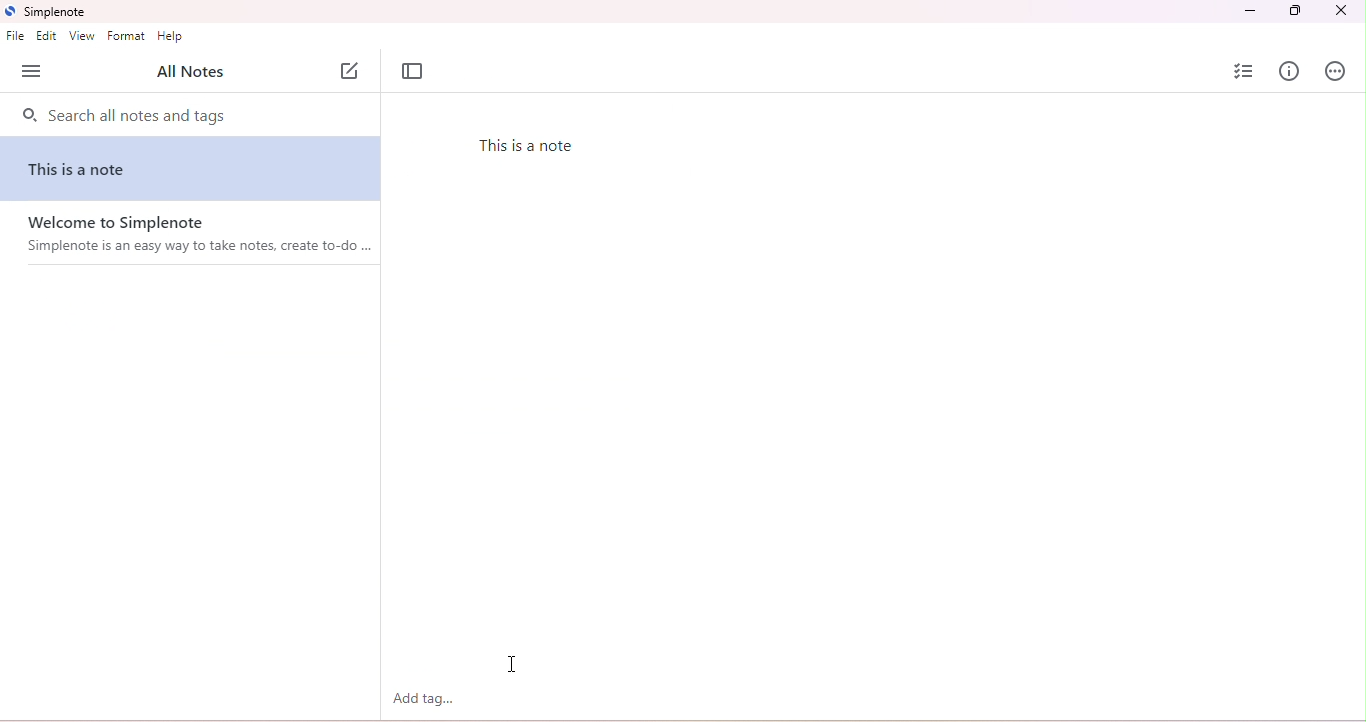 The width and height of the screenshot is (1366, 722). What do you see at coordinates (16, 36) in the screenshot?
I see `file` at bounding box center [16, 36].